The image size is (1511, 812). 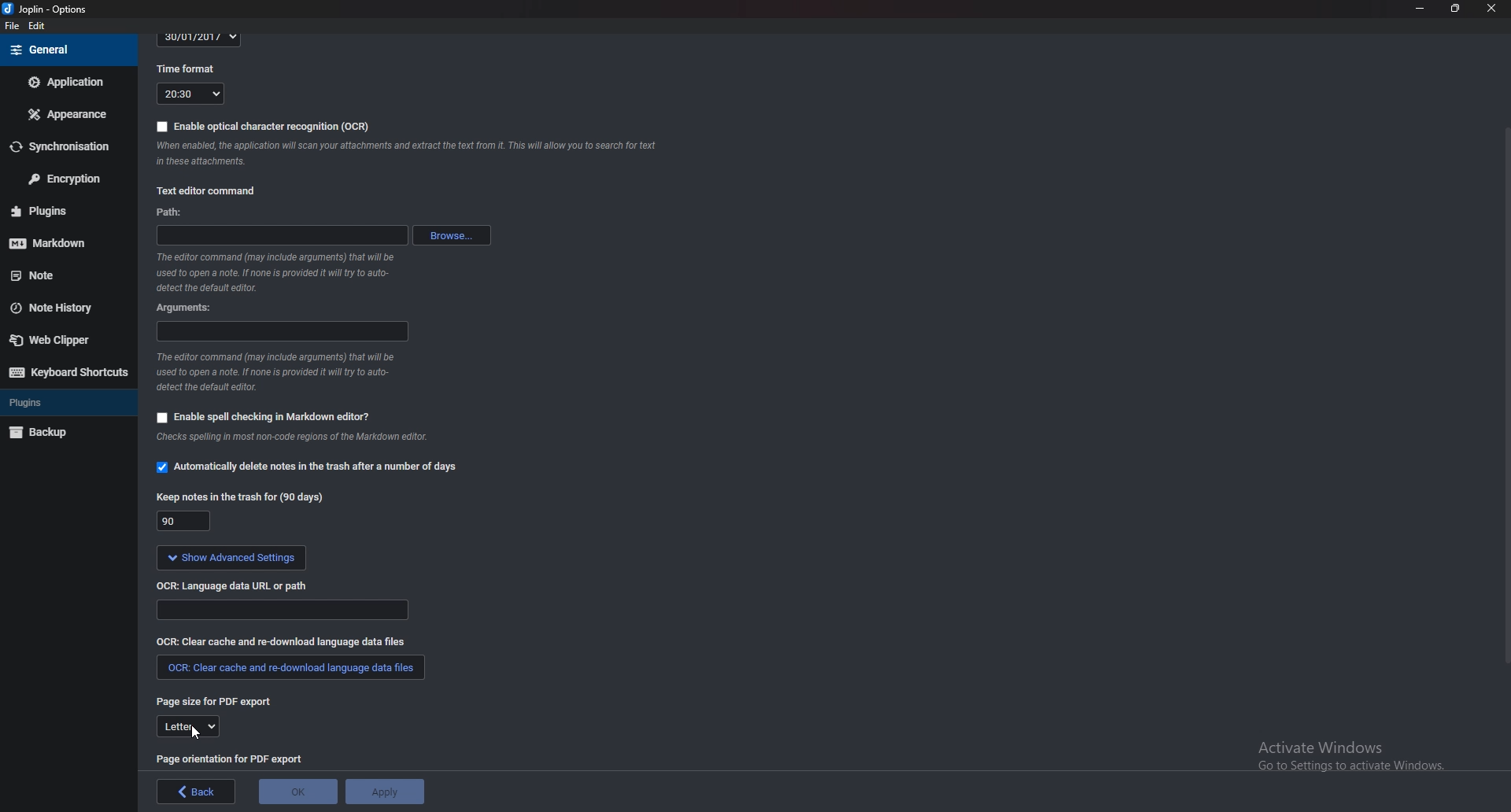 What do you see at coordinates (188, 728) in the screenshot?
I see `Letter` at bounding box center [188, 728].